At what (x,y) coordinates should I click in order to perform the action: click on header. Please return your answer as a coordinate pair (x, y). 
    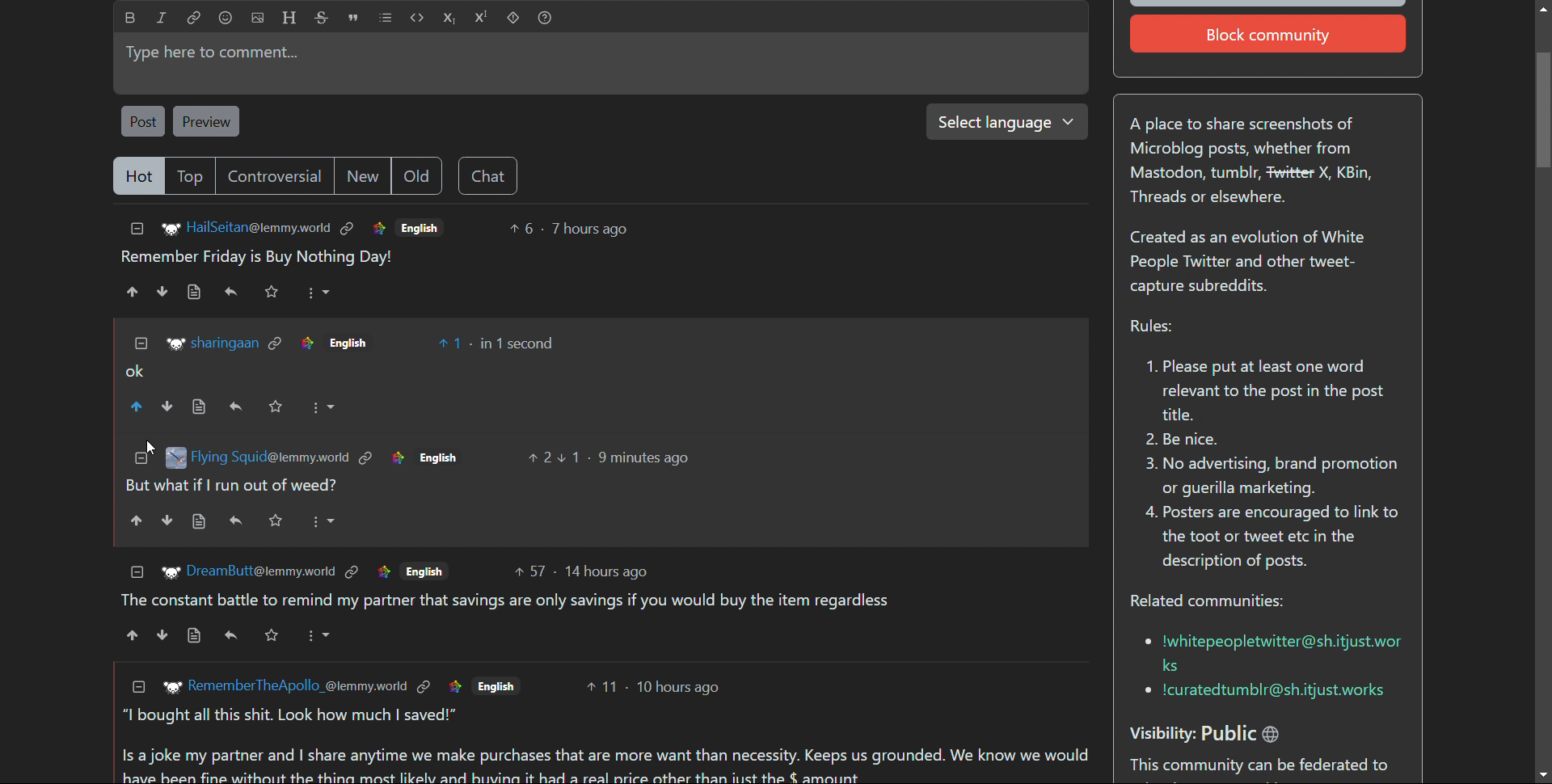
    Looking at the image, I should click on (289, 17).